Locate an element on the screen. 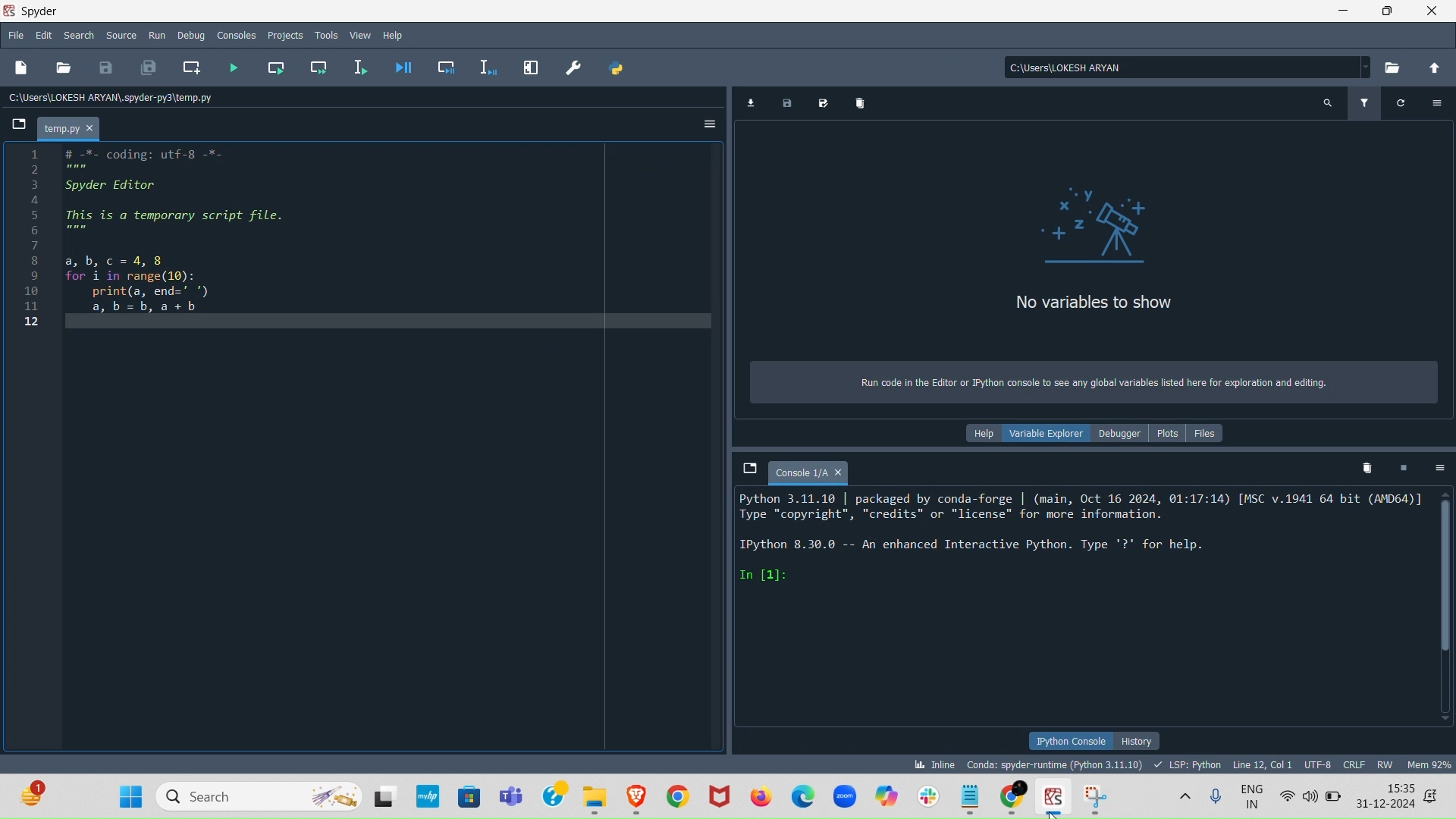  Browse tabs is located at coordinates (742, 466).